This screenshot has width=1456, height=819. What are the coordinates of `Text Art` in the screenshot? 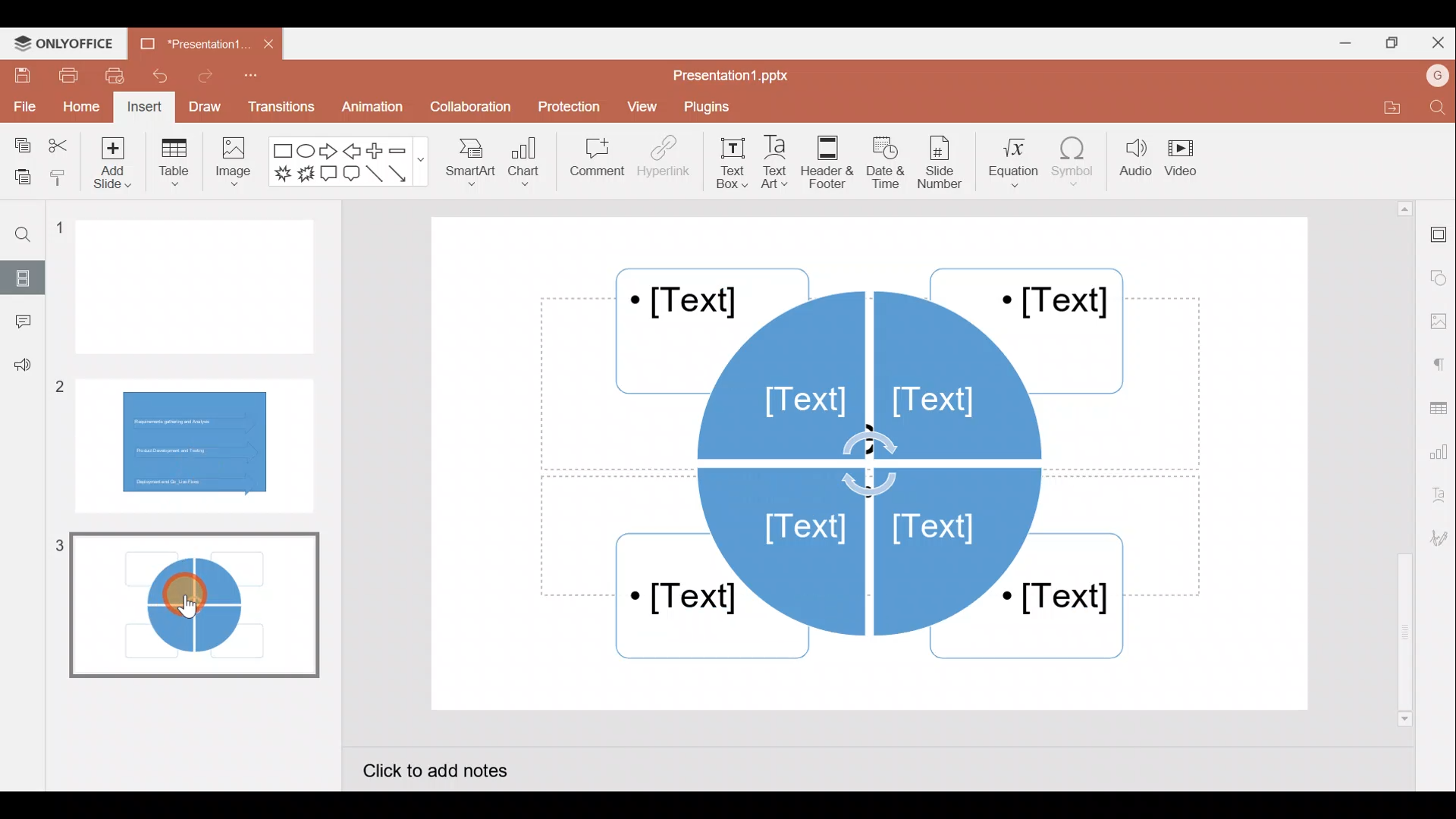 It's located at (780, 163).